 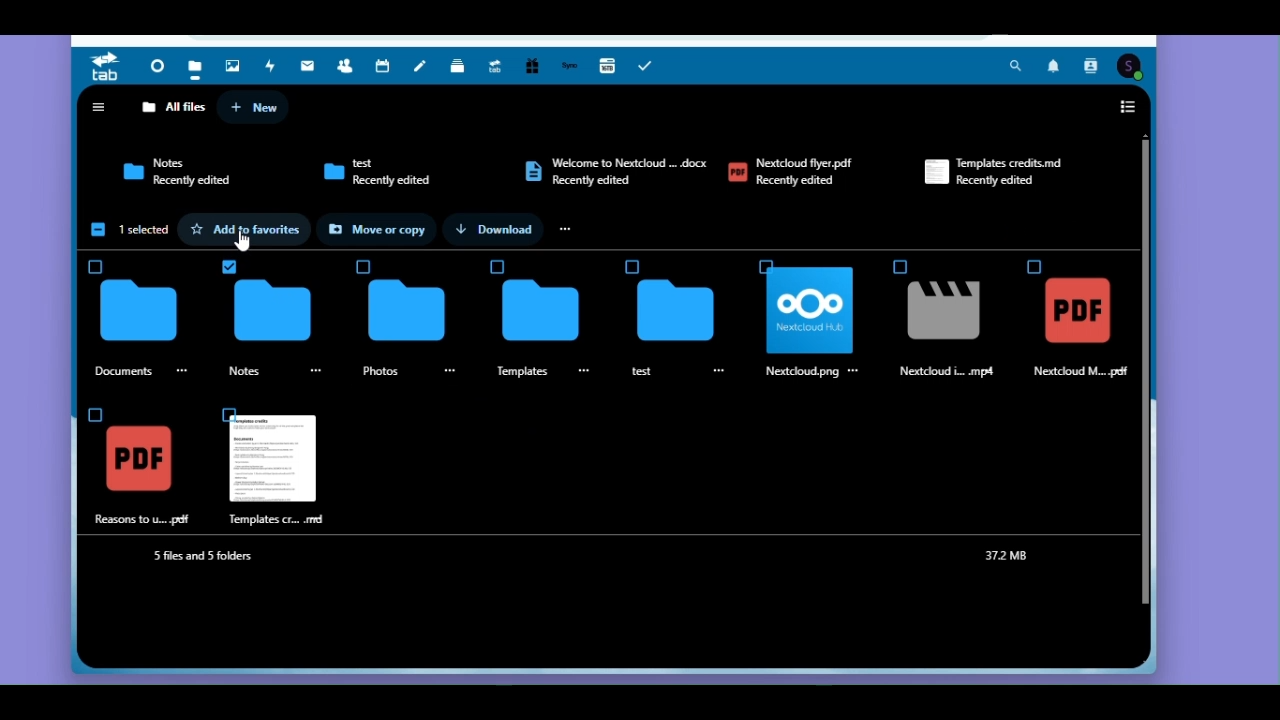 I want to click on Check Box, so click(x=1034, y=266).